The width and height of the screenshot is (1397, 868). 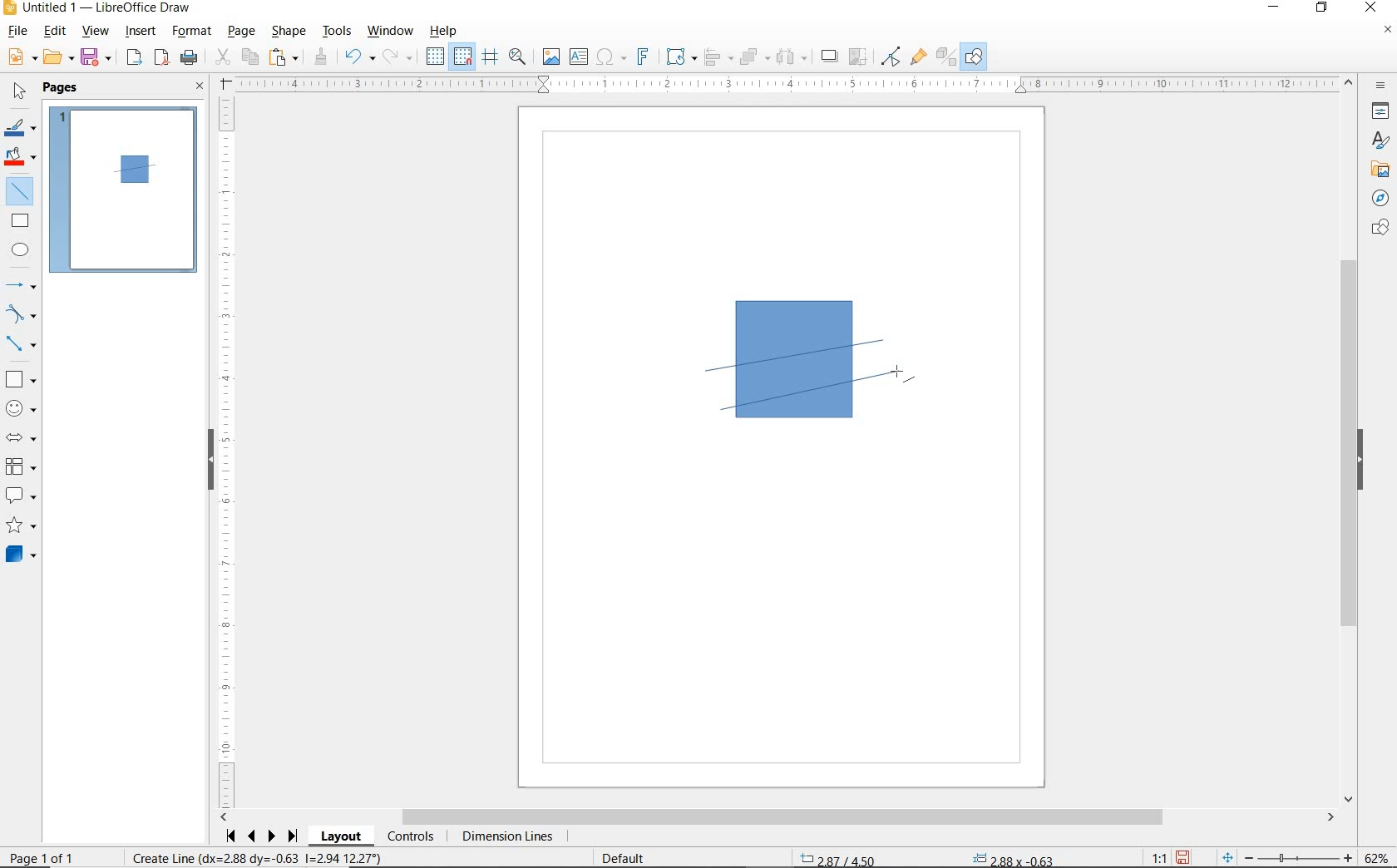 What do you see at coordinates (210, 461) in the screenshot?
I see `HIDE` at bounding box center [210, 461].